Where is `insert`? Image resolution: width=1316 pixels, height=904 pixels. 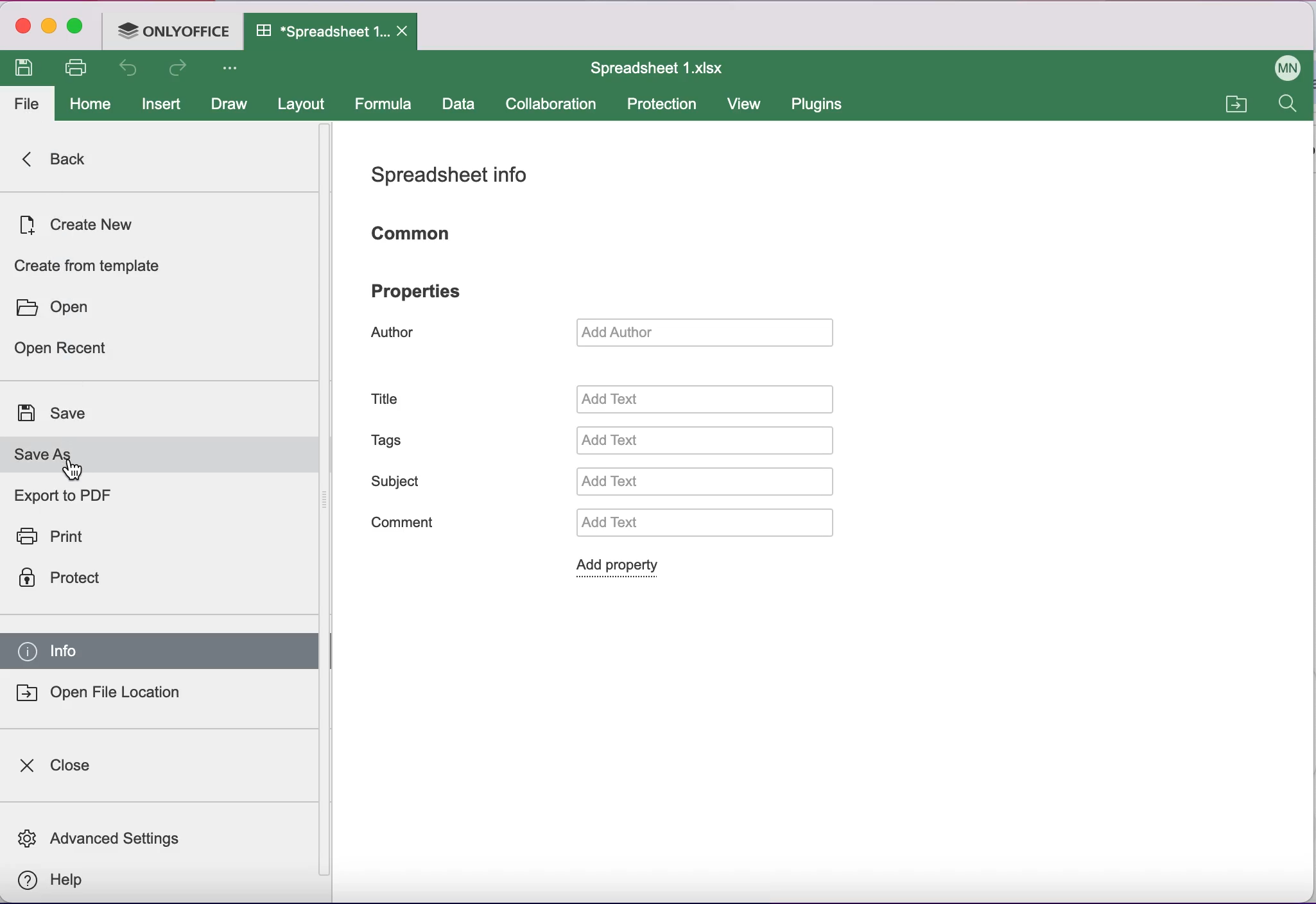 insert is located at coordinates (160, 101).